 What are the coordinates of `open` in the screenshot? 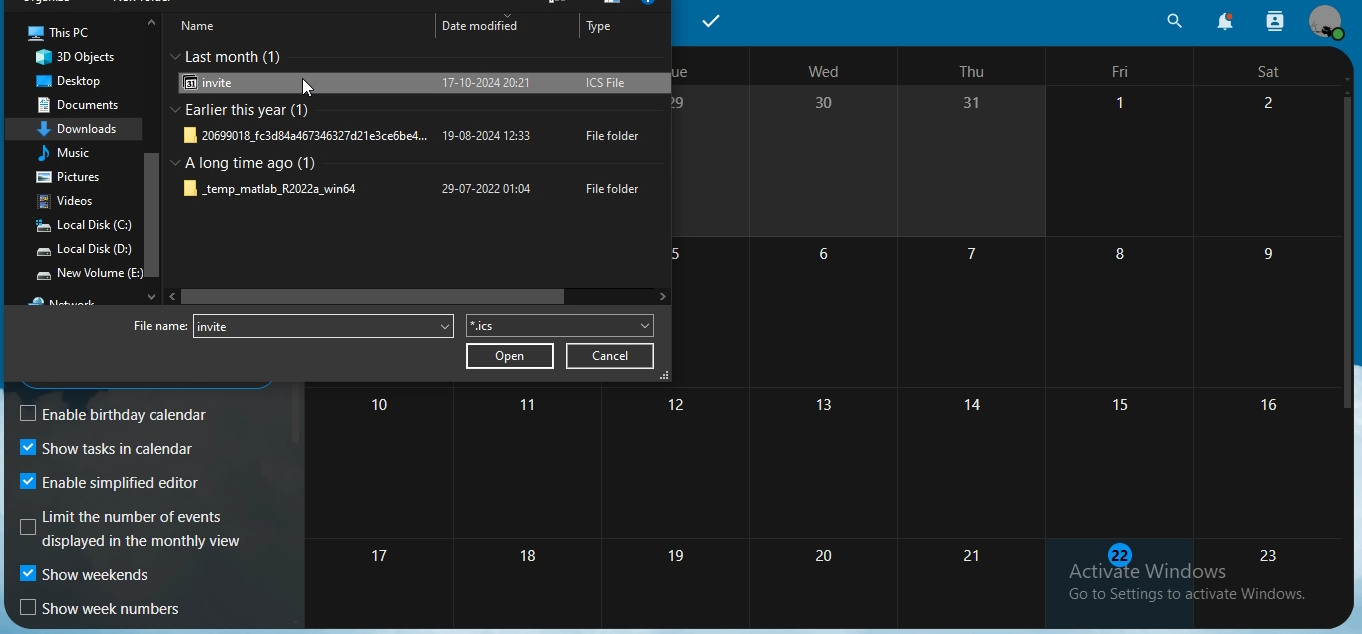 It's located at (511, 358).